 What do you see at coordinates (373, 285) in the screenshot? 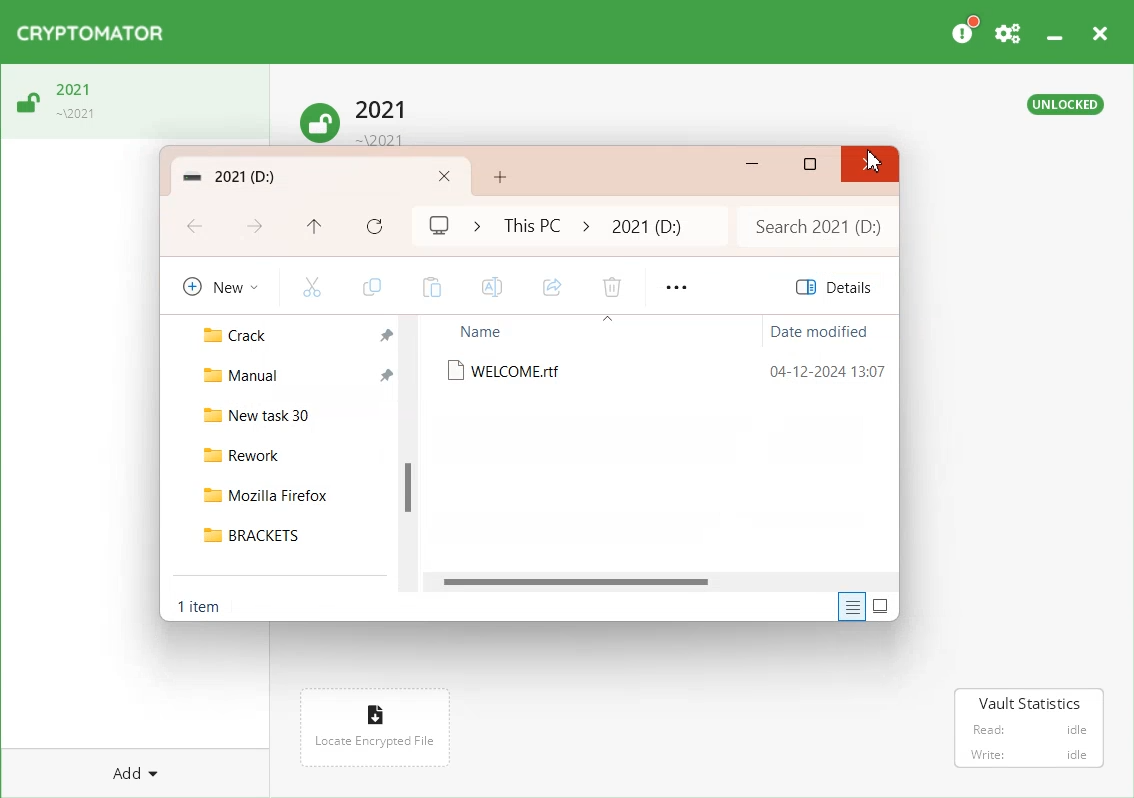
I see `Copy` at bounding box center [373, 285].